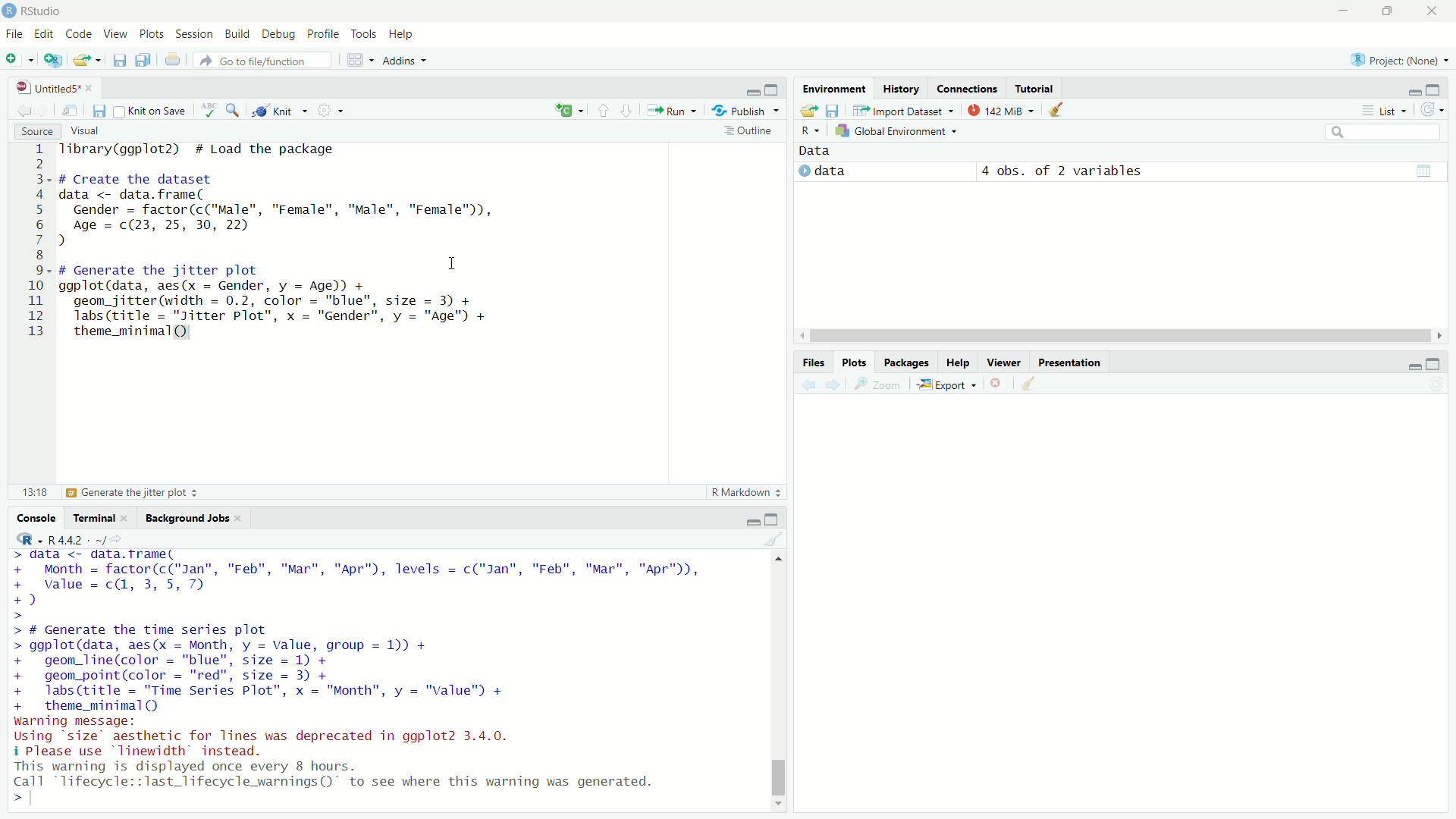  I want to click on data, so click(839, 171).